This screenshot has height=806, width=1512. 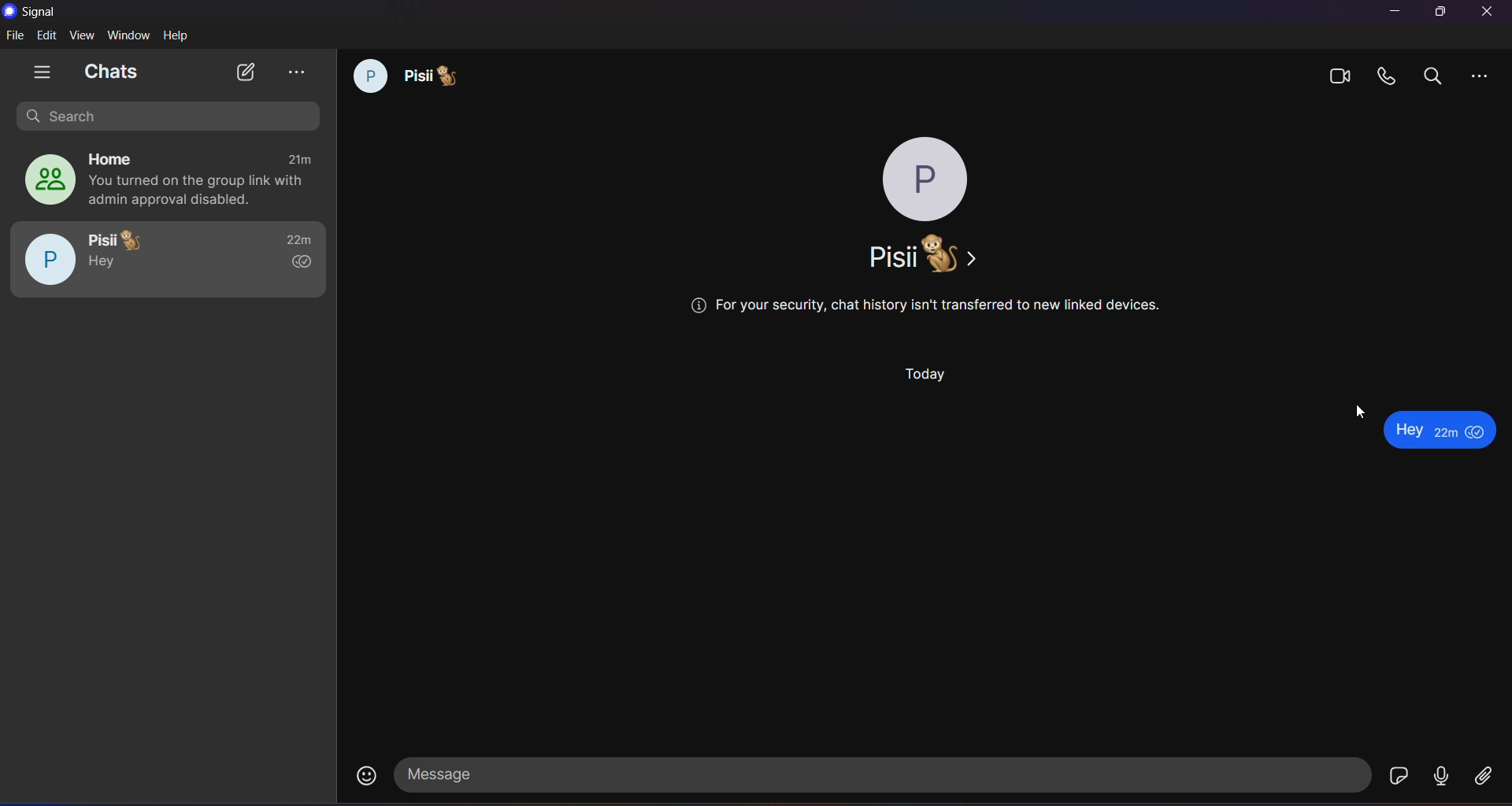 I want to click on profile, so click(x=923, y=178).